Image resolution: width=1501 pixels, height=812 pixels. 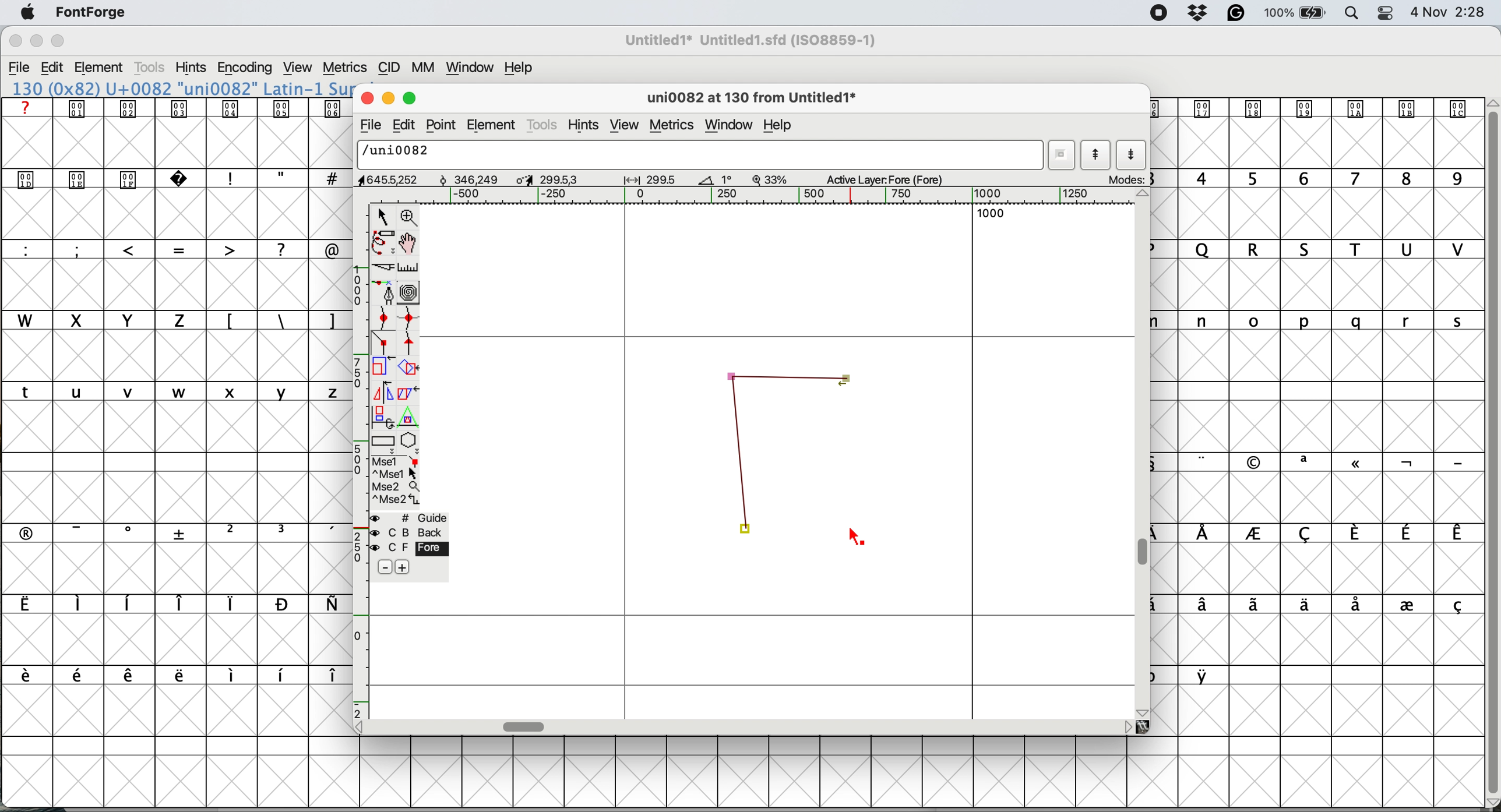 What do you see at coordinates (1238, 14) in the screenshot?
I see `grammarly` at bounding box center [1238, 14].